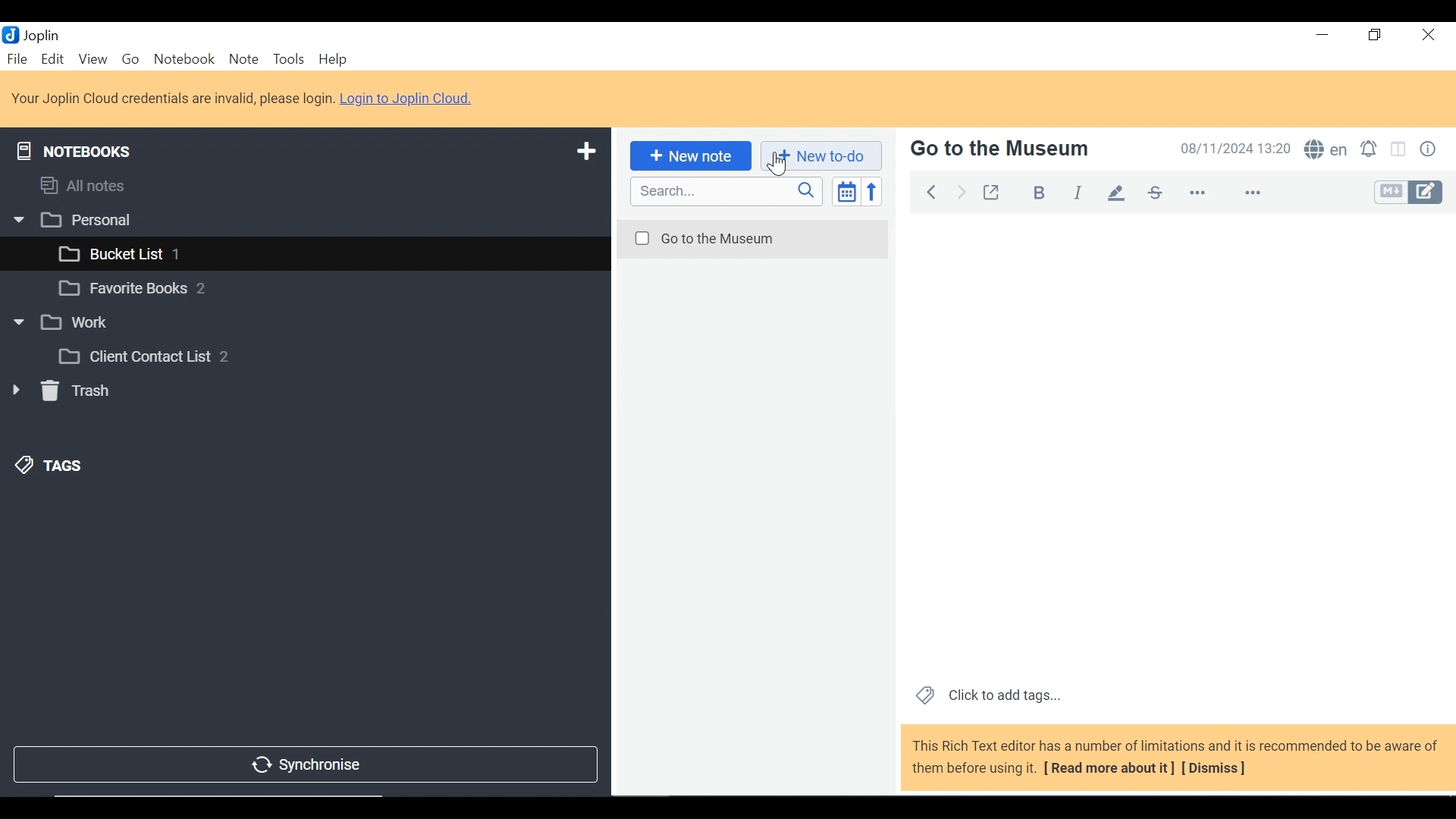 Image resolution: width=1456 pixels, height=819 pixels. Describe the element at coordinates (303, 218) in the screenshot. I see `Notebook` at that location.